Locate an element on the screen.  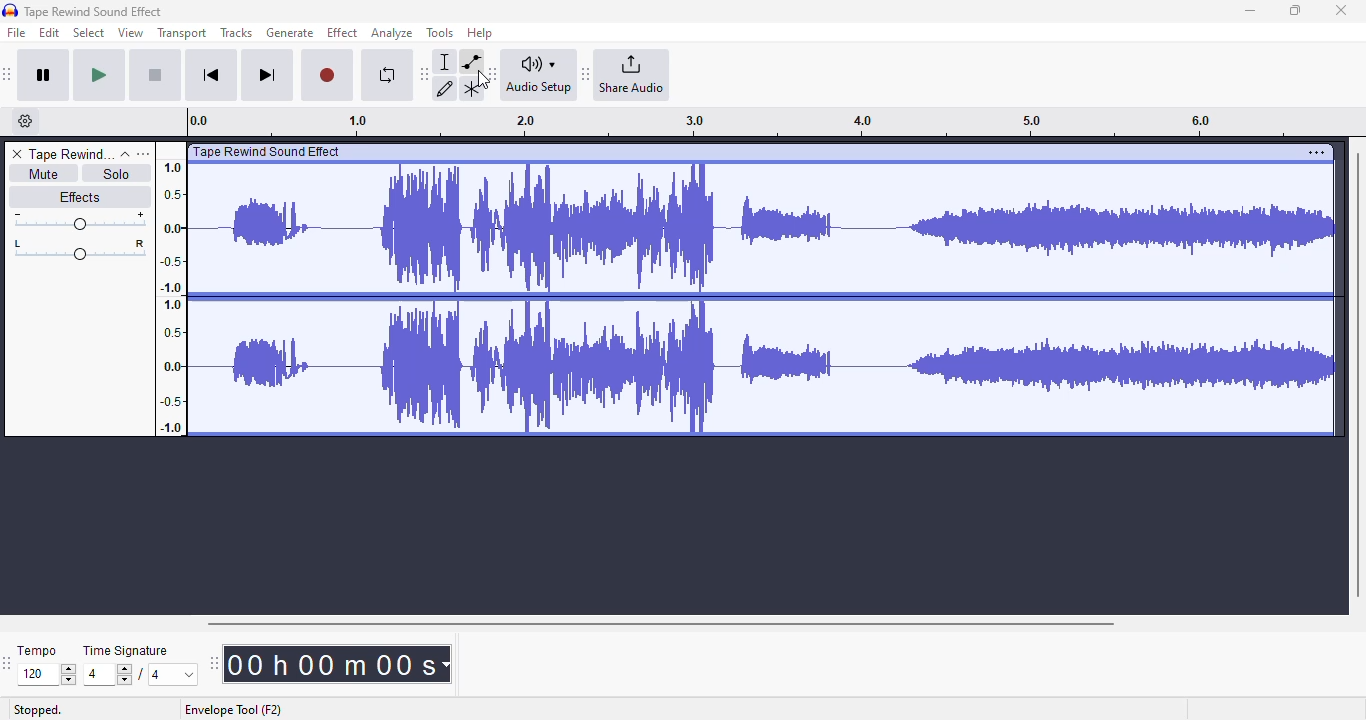
transport is located at coordinates (183, 33).